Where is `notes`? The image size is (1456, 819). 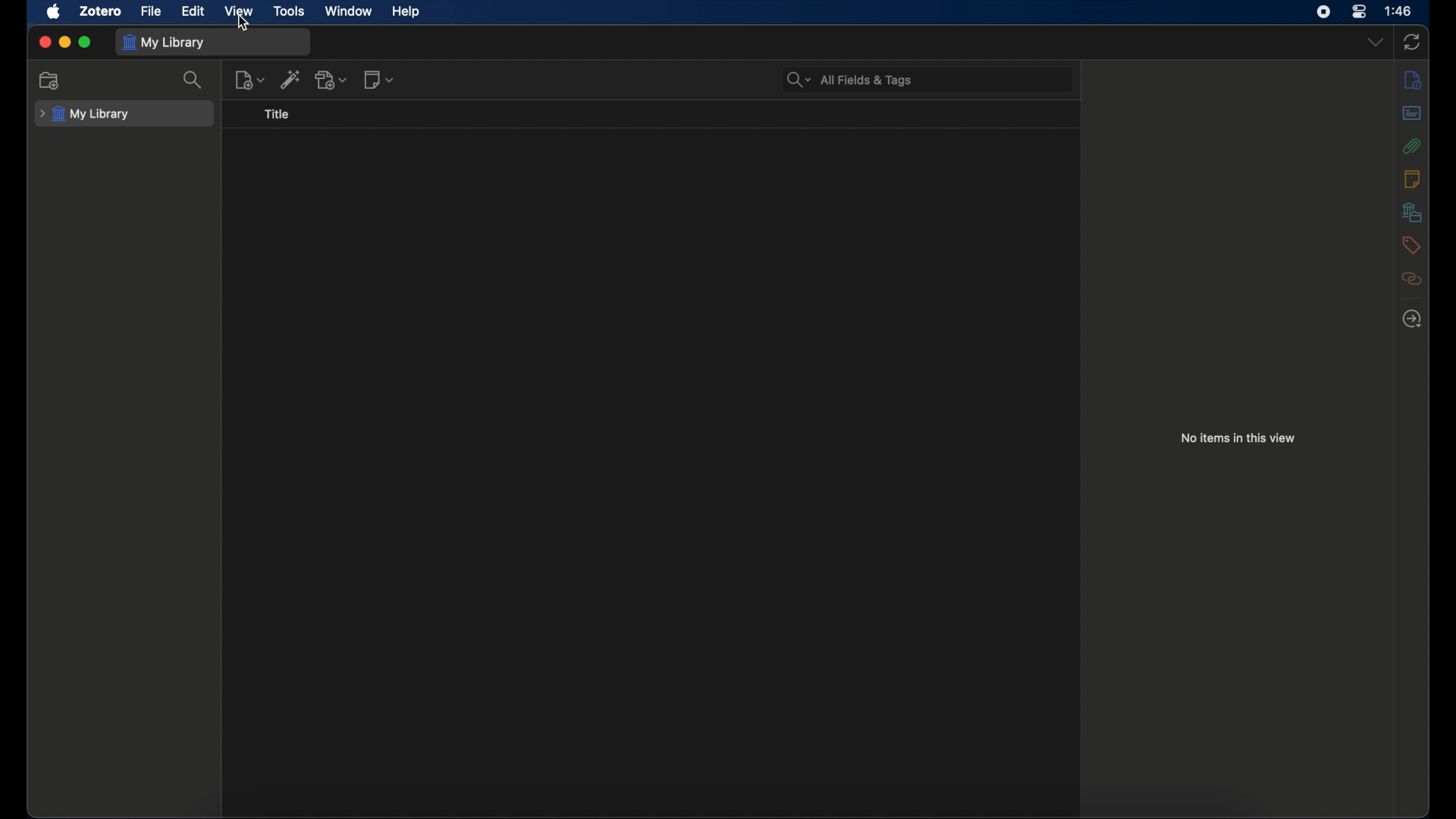
notes is located at coordinates (1412, 178).